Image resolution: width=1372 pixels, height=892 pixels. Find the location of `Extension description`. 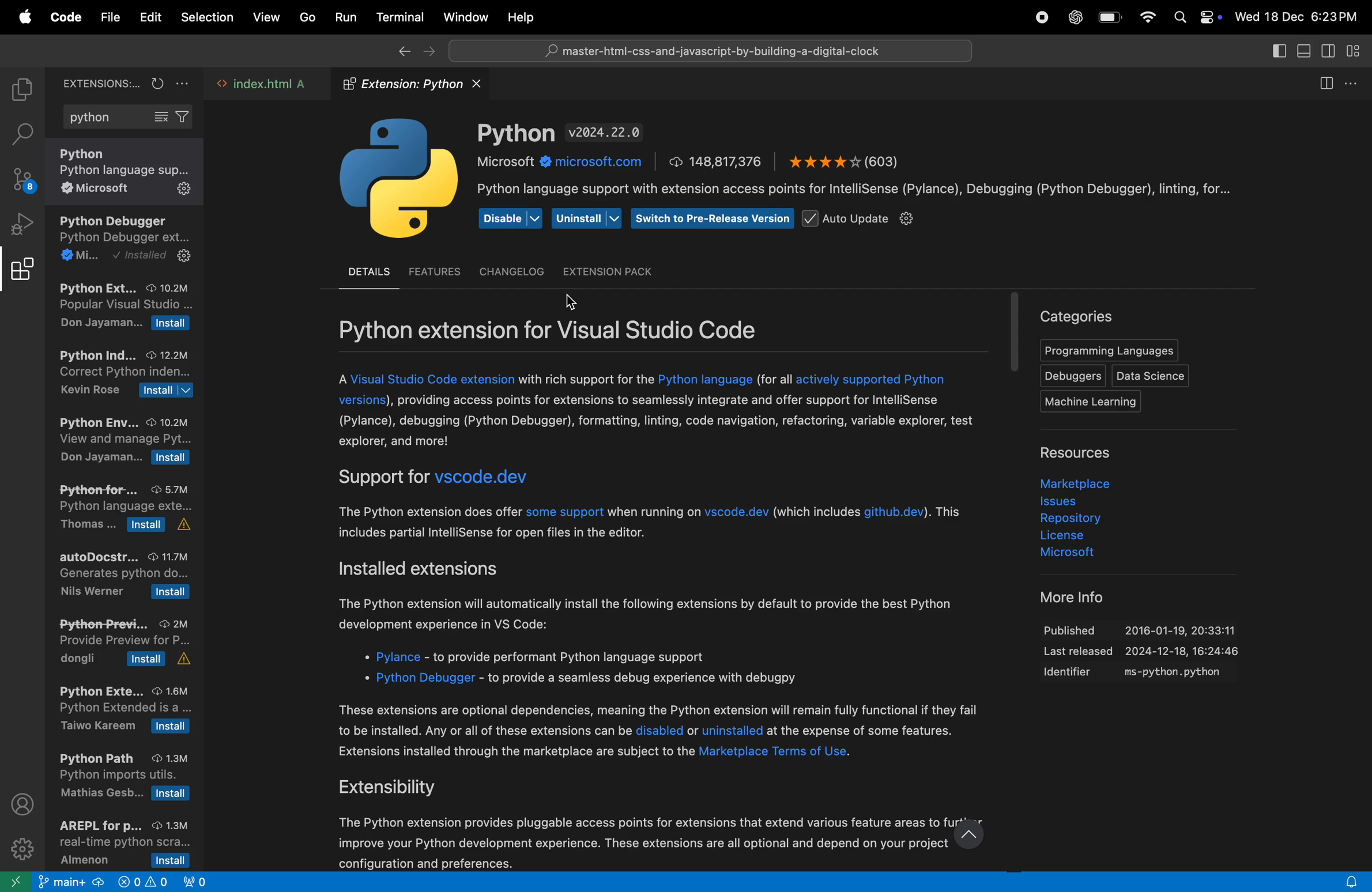

Extension description is located at coordinates (666, 617).